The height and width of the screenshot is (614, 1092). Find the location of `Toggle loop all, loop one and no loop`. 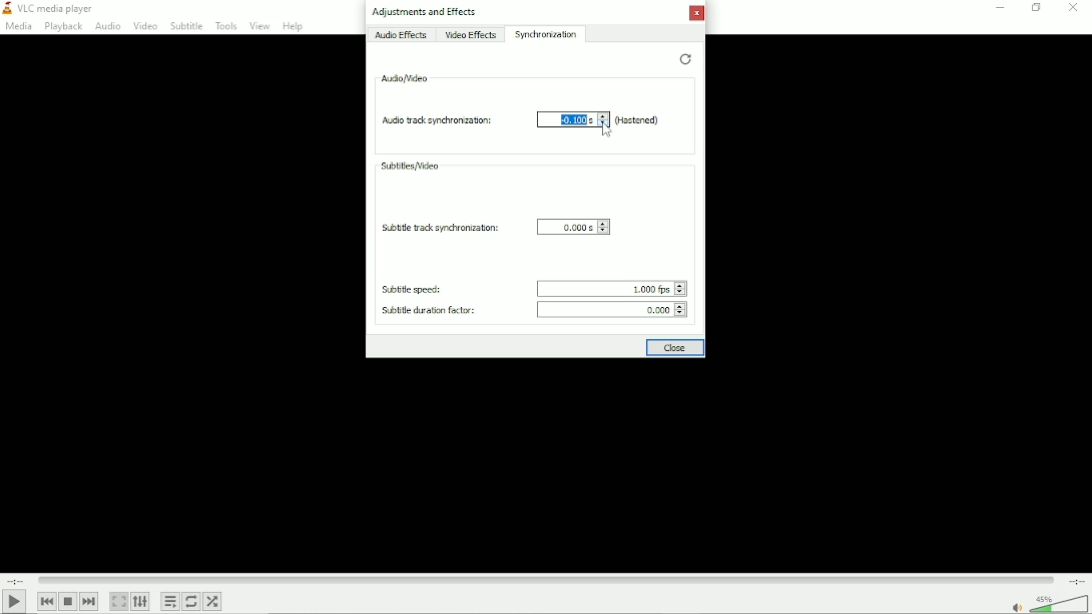

Toggle loop all, loop one and no loop is located at coordinates (192, 602).